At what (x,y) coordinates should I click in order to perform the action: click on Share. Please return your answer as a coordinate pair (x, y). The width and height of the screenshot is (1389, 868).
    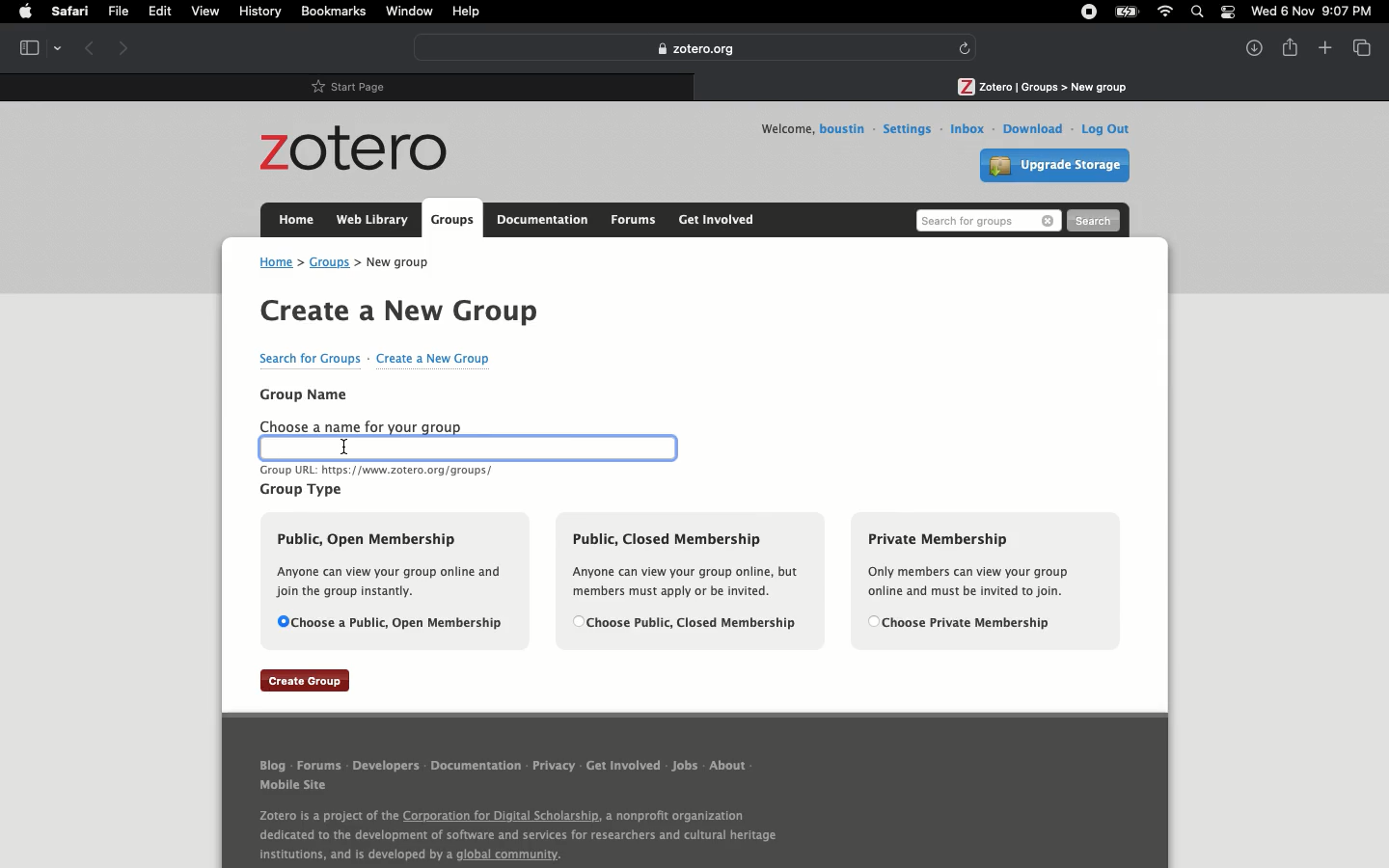
    Looking at the image, I should click on (1291, 46).